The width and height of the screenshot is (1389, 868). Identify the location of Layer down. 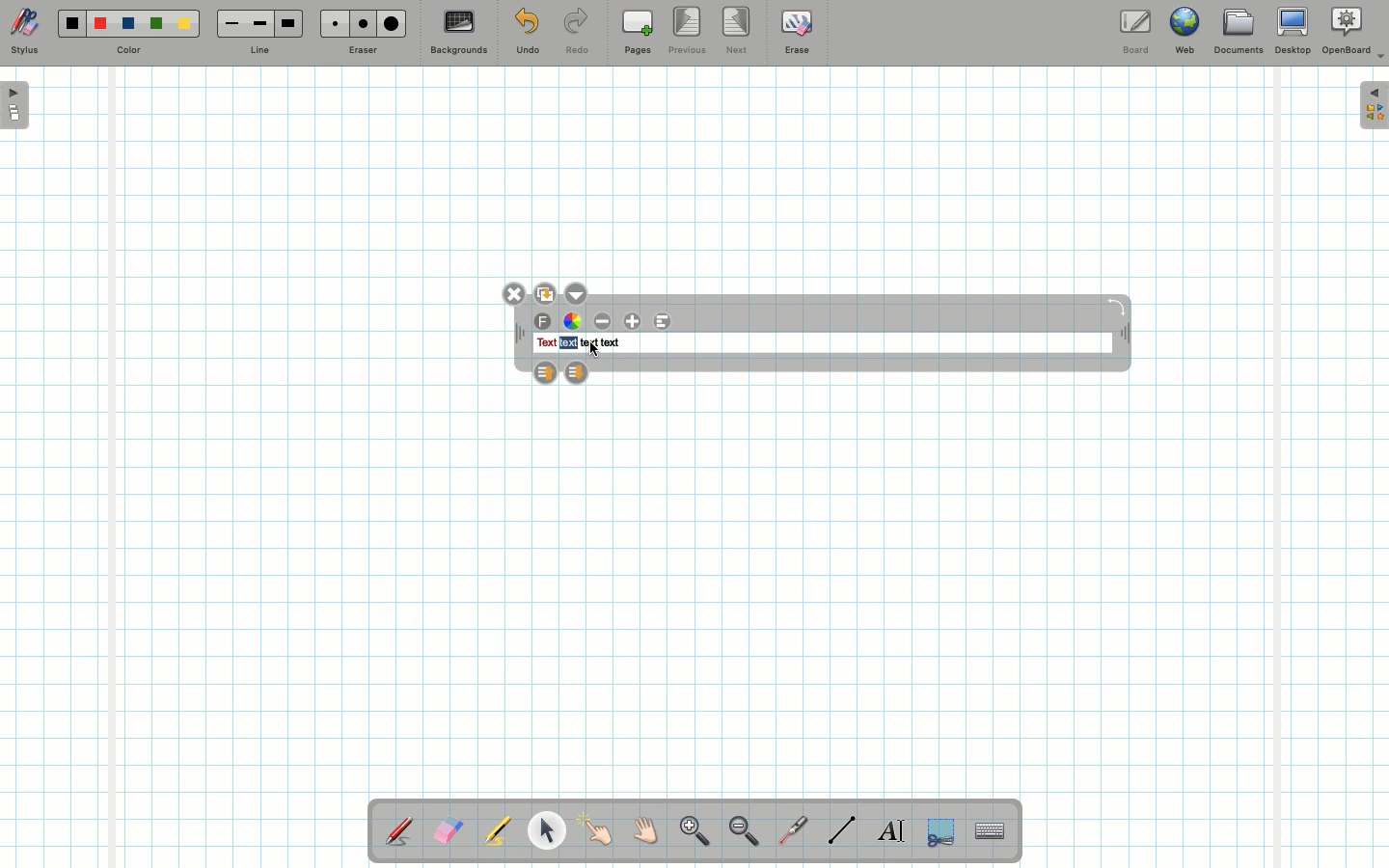
(576, 370).